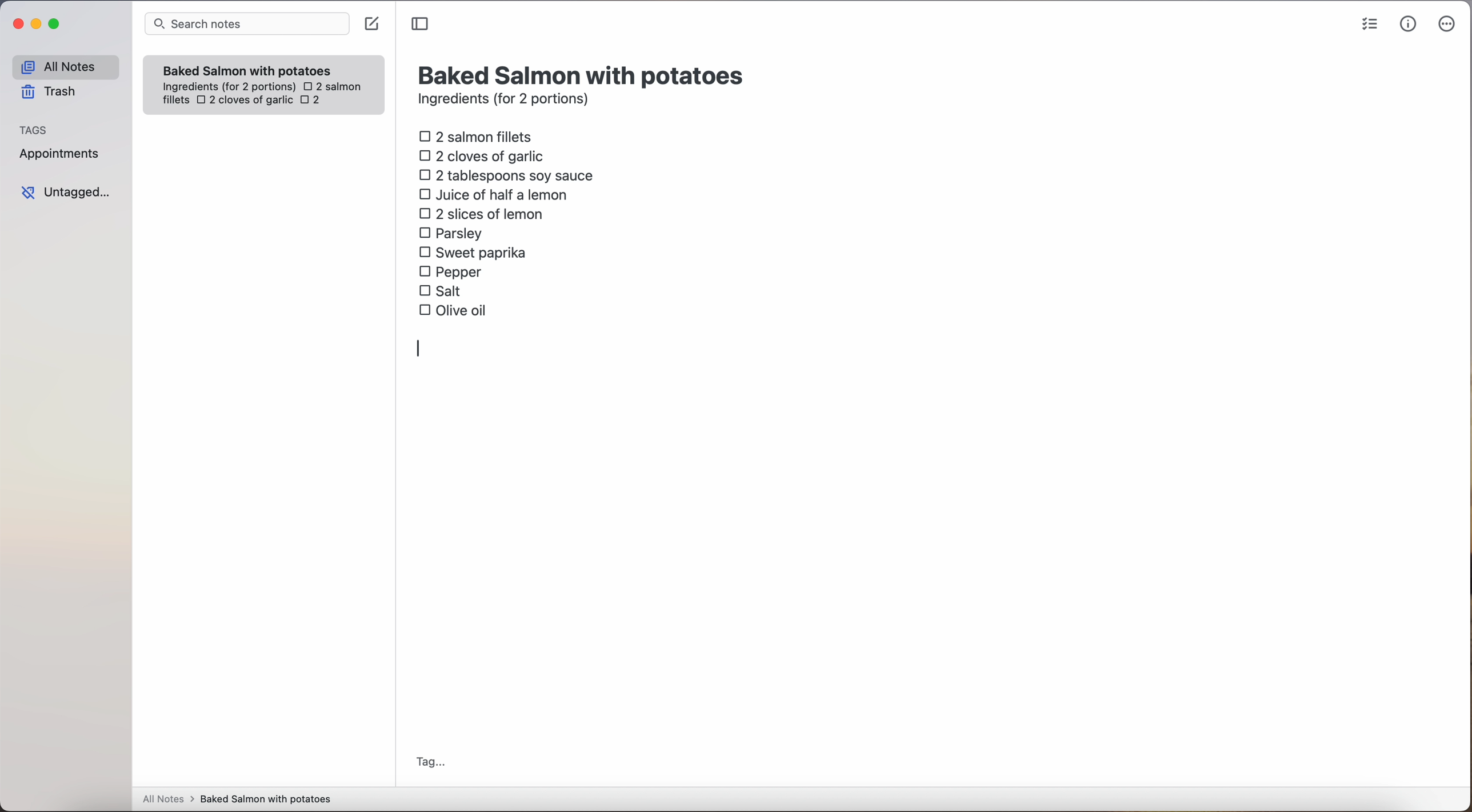  Describe the element at coordinates (36, 25) in the screenshot. I see `minimize Simplenote` at that location.